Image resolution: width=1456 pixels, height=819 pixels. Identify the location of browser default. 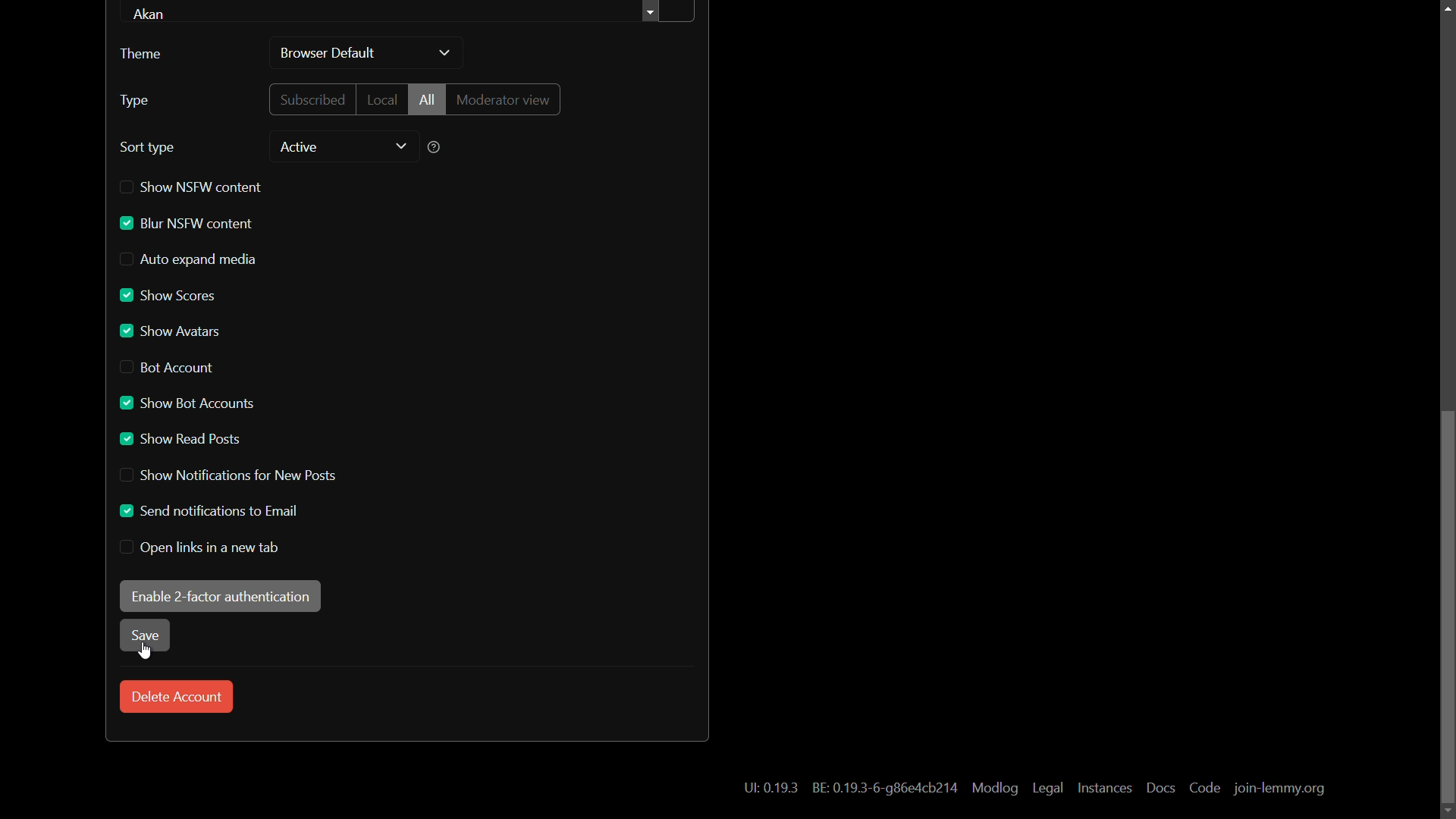
(329, 55).